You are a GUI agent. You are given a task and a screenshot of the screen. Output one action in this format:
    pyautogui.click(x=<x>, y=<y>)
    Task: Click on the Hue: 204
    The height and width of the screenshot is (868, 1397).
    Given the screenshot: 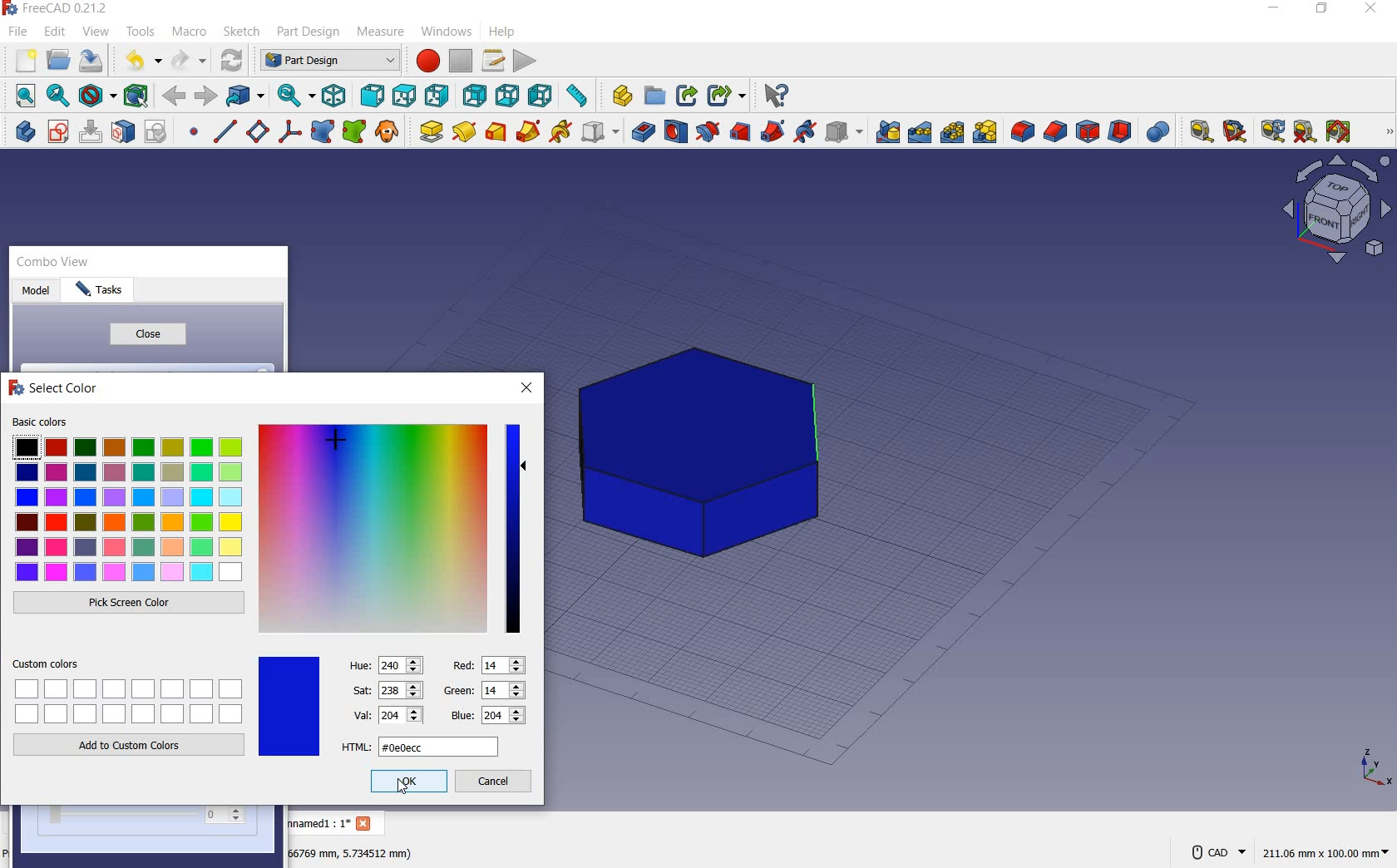 What is the action you would take?
    pyautogui.click(x=387, y=663)
    